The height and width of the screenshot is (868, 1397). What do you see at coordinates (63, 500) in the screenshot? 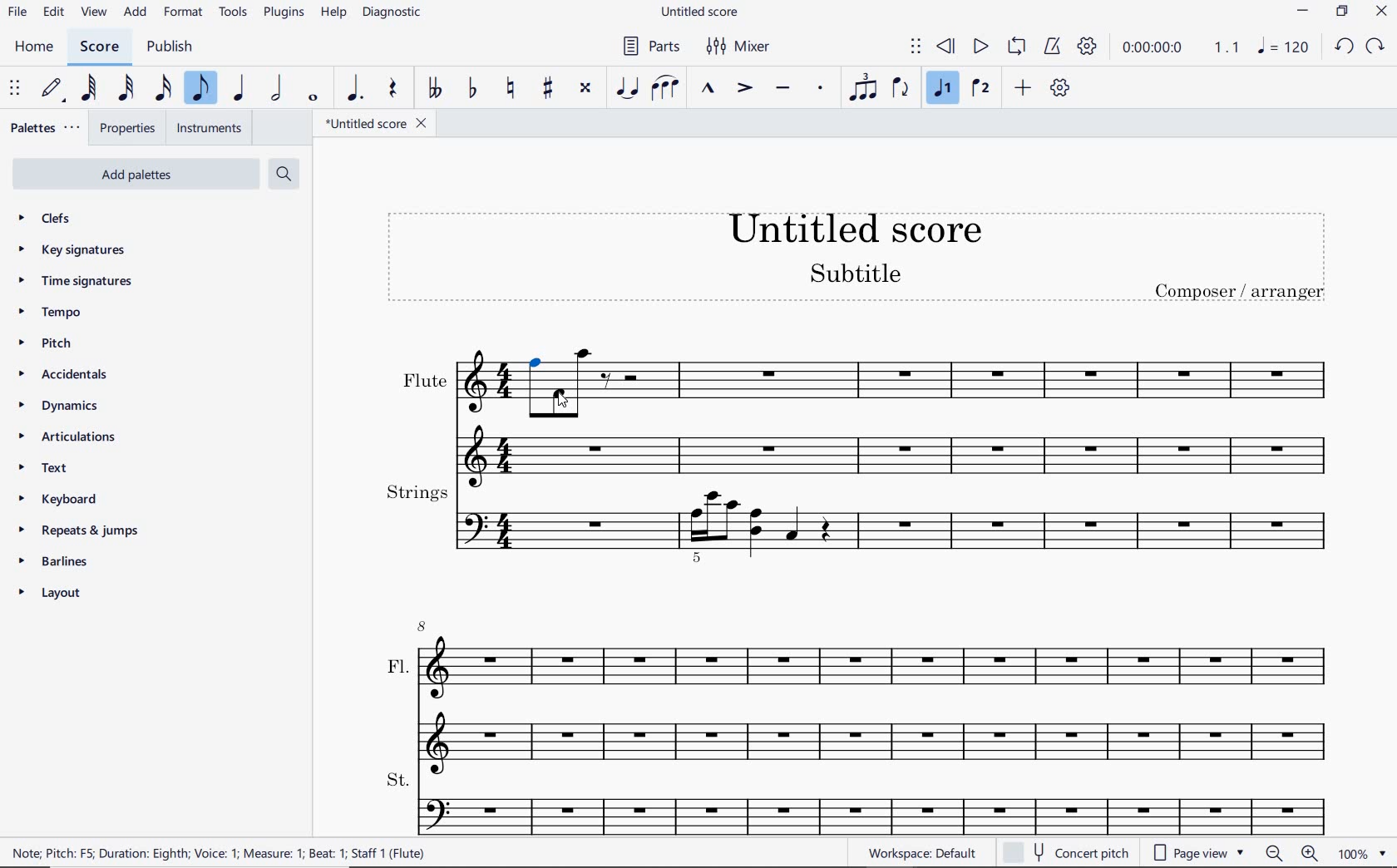
I see `keyboard` at bounding box center [63, 500].